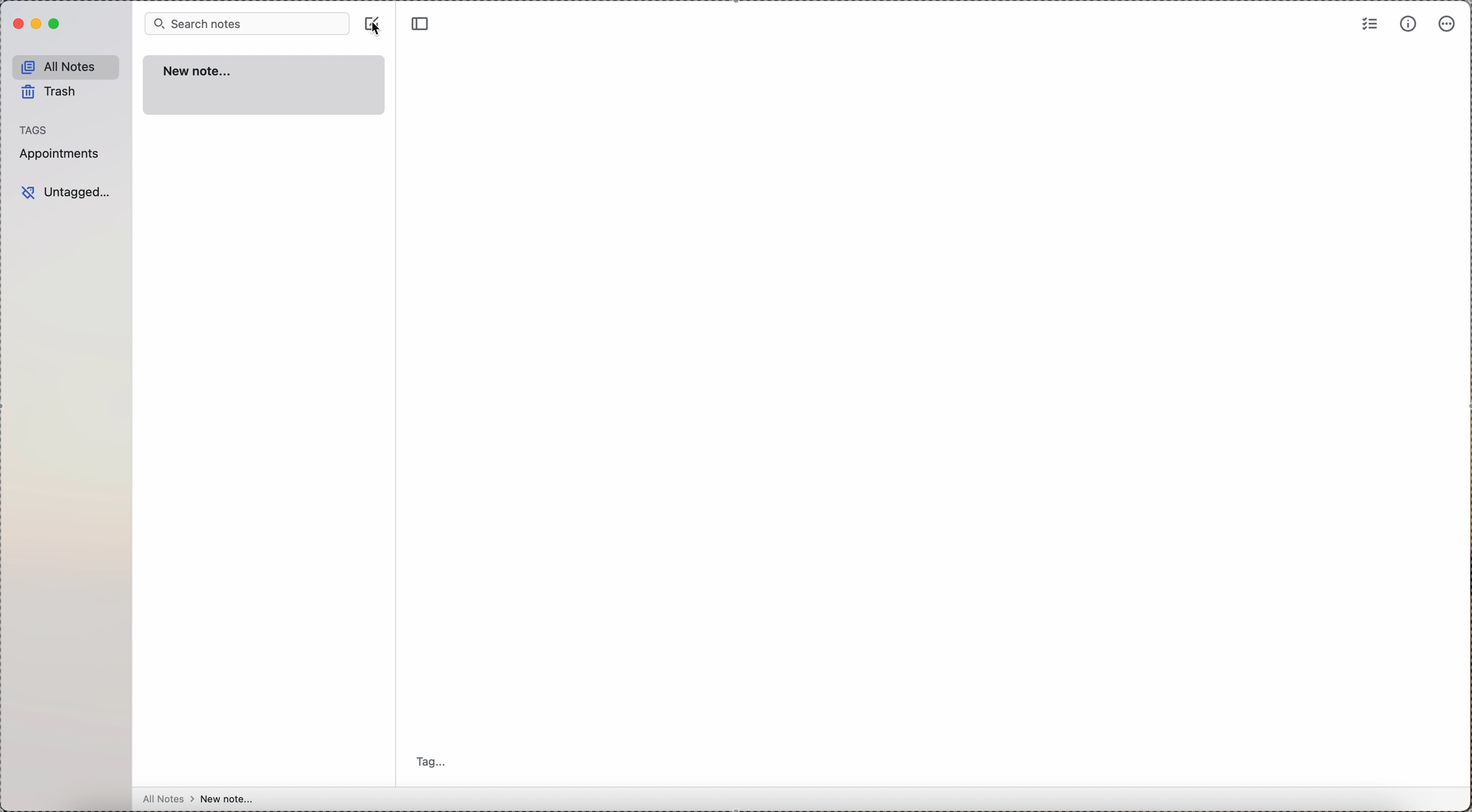 The height and width of the screenshot is (812, 1472). What do you see at coordinates (62, 155) in the screenshot?
I see `appointments` at bounding box center [62, 155].